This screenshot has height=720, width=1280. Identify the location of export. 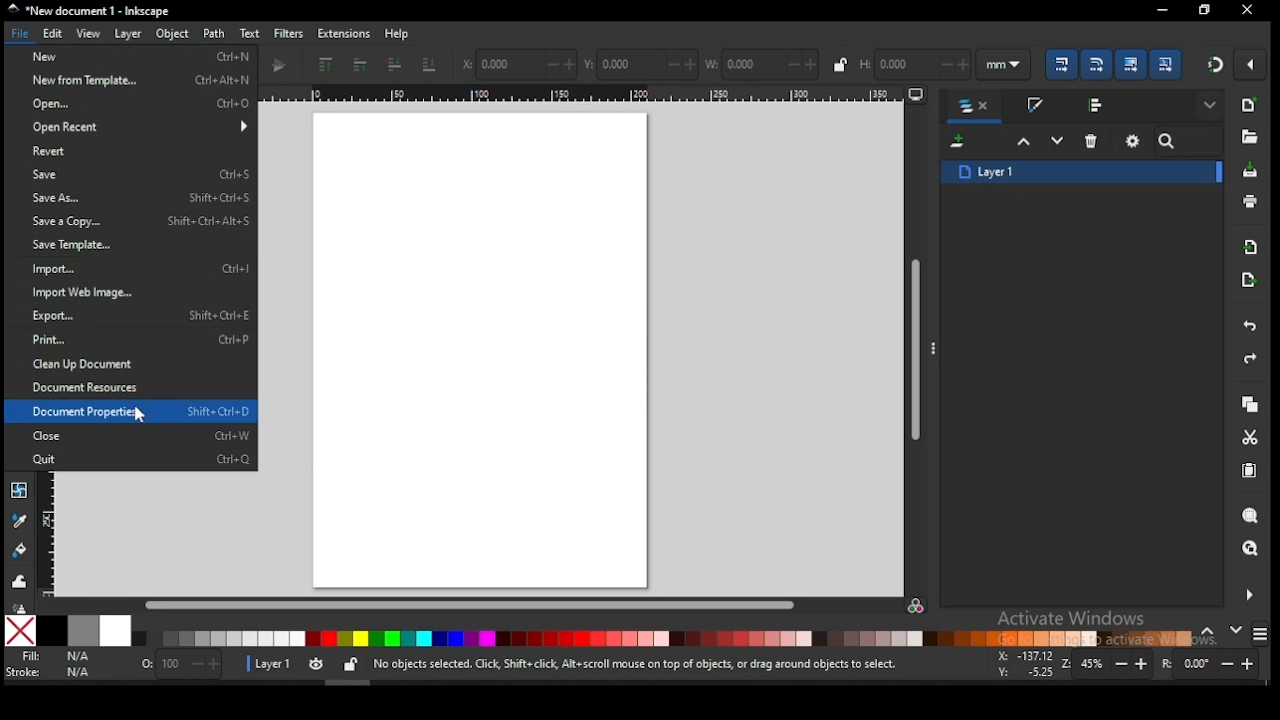
(141, 317).